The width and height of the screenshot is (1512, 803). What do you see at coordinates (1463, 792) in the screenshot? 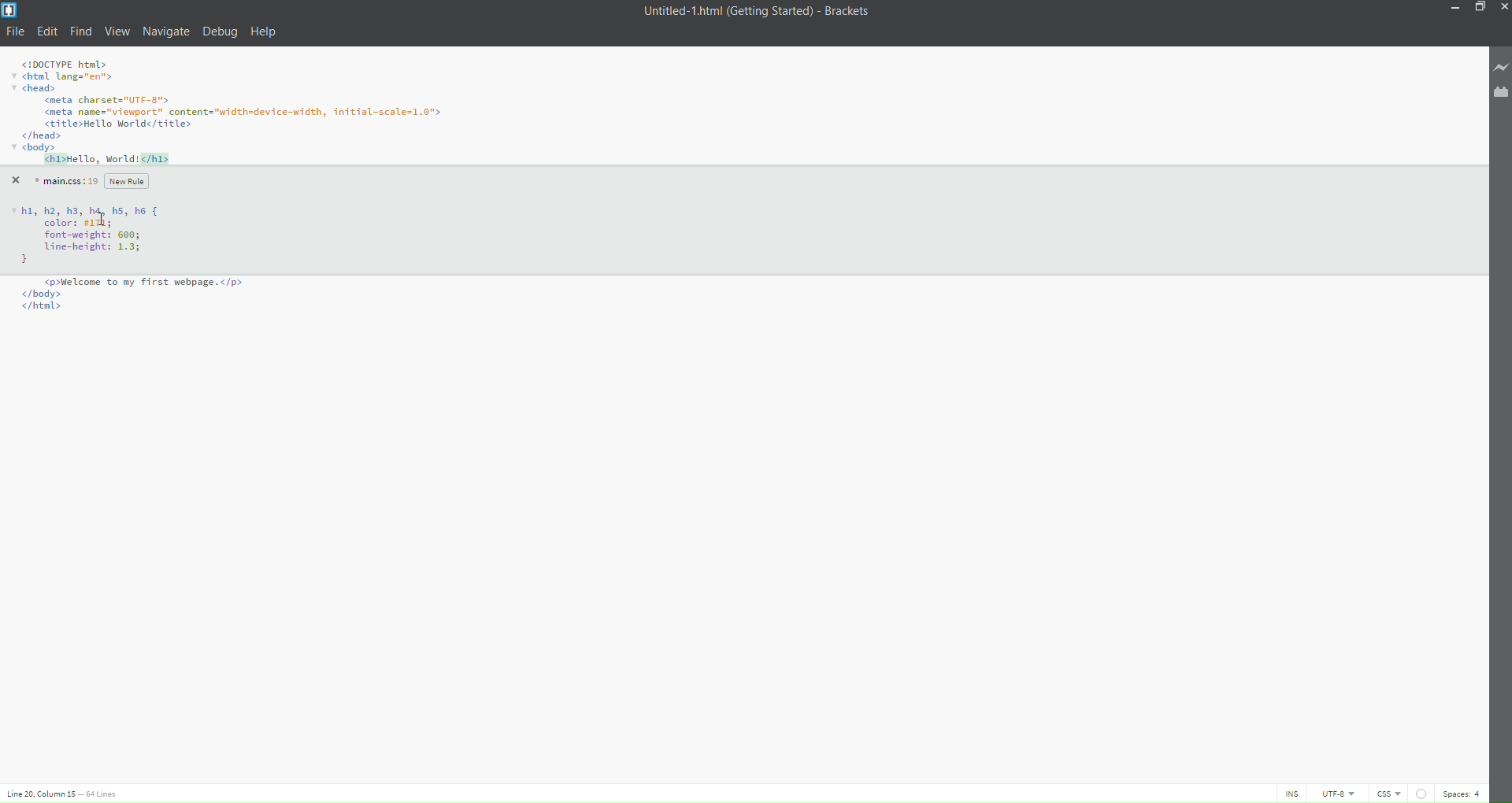
I see `spaces` at bounding box center [1463, 792].